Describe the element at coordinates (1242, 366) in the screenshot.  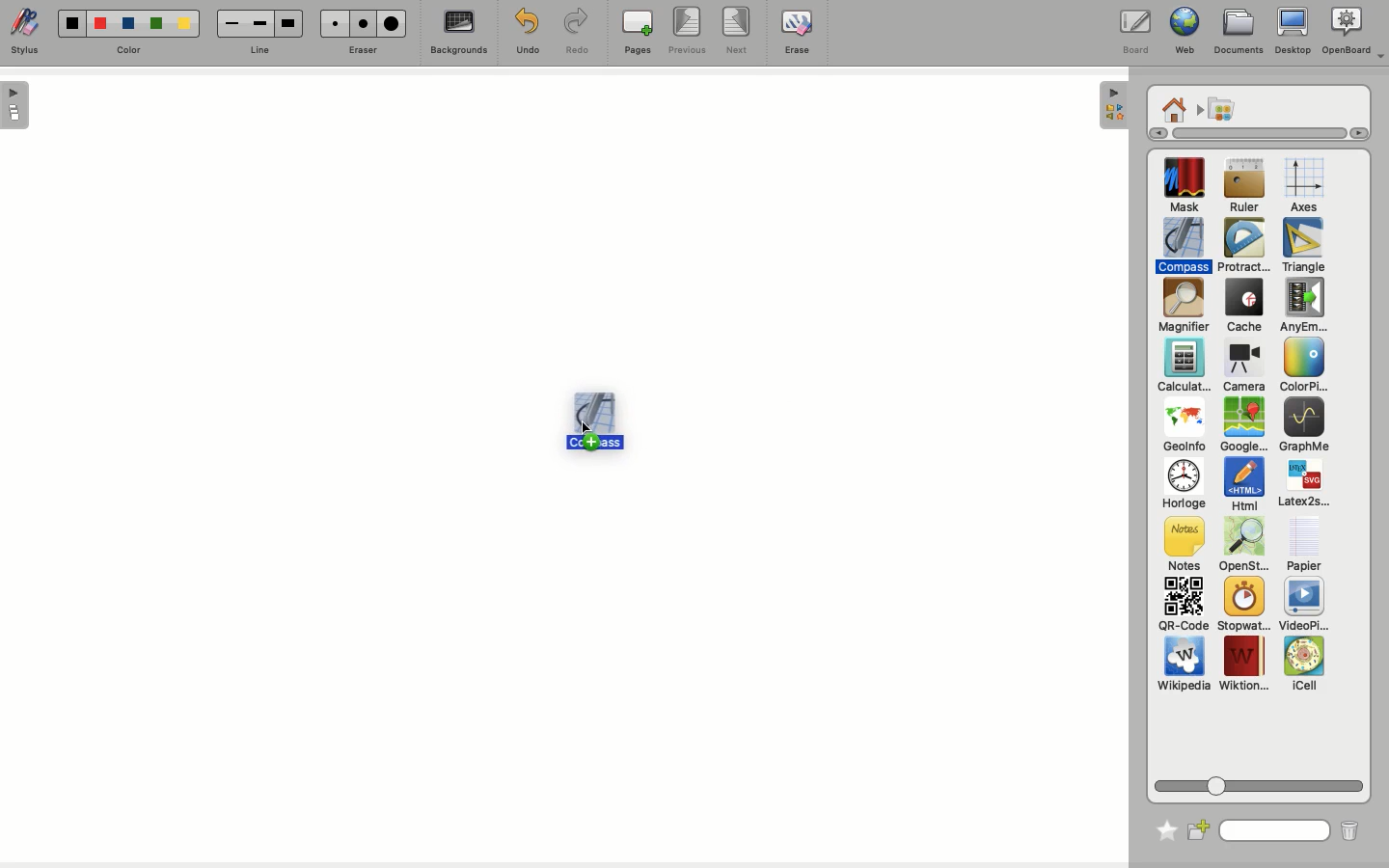
I see `Camera` at that location.